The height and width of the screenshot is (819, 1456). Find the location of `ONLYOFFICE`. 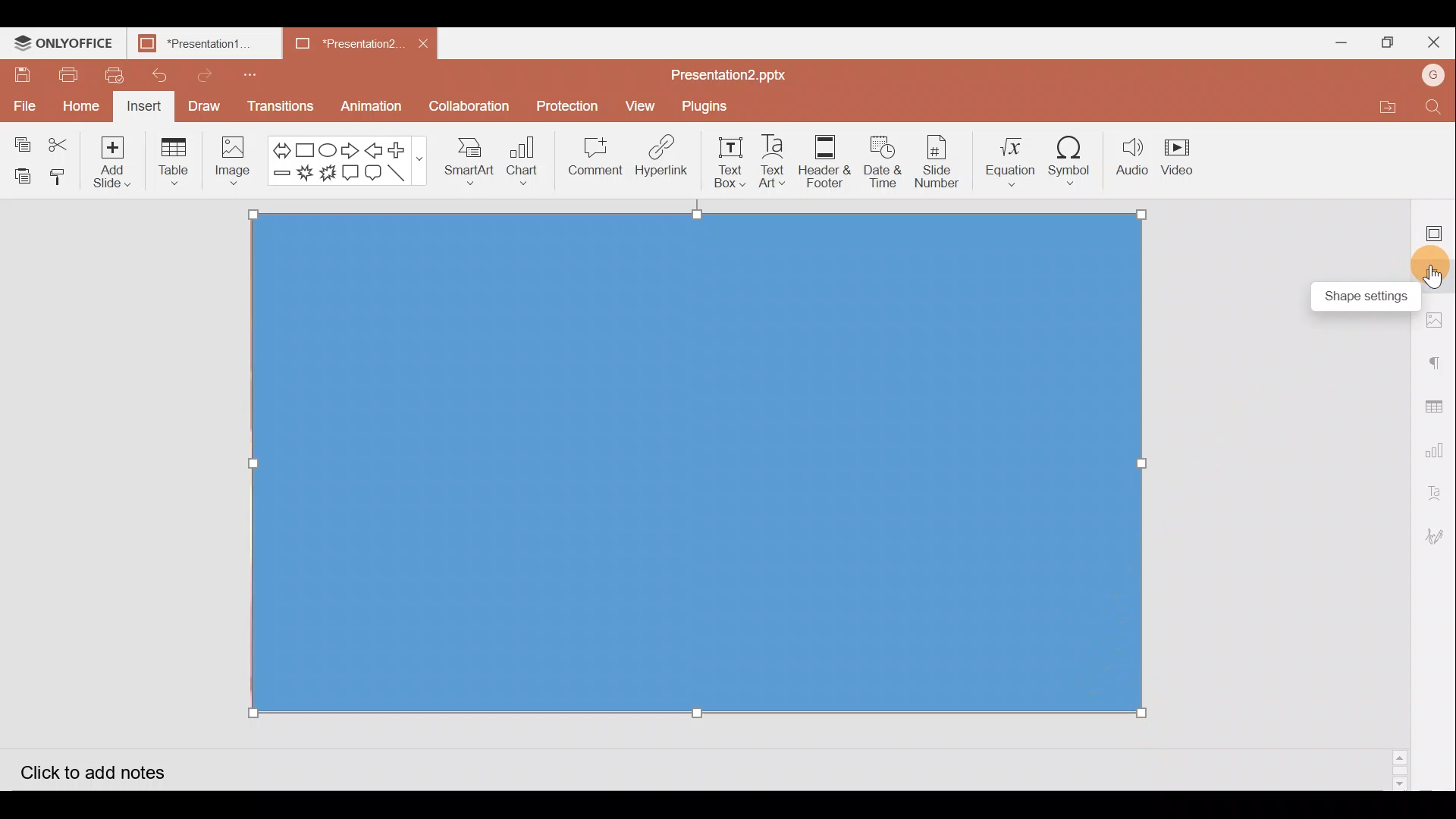

ONLYOFFICE is located at coordinates (64, 39).